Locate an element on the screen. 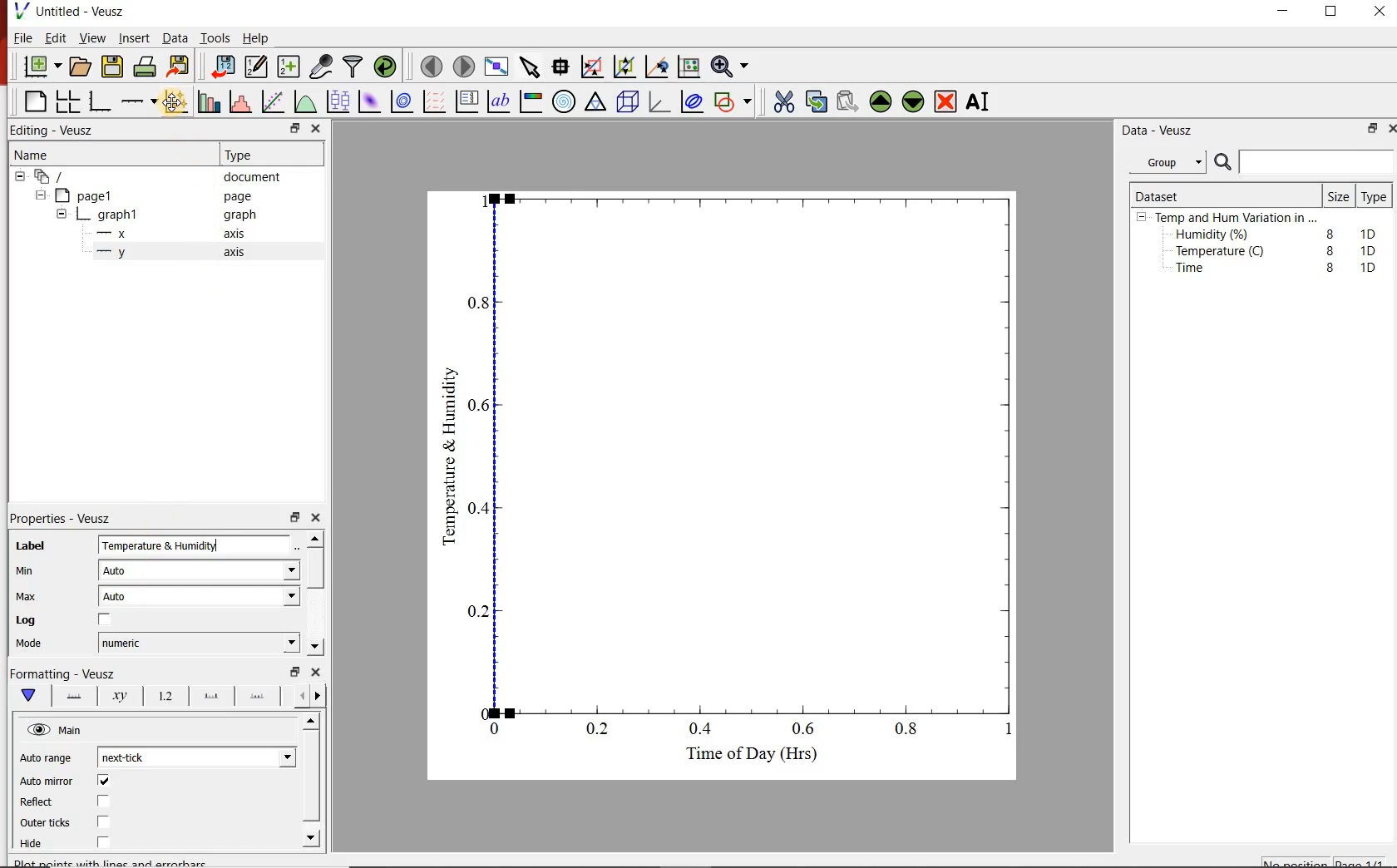 The height and width of the screenshot is (868, 1397). Reflect is located at coordinates (72, 802).